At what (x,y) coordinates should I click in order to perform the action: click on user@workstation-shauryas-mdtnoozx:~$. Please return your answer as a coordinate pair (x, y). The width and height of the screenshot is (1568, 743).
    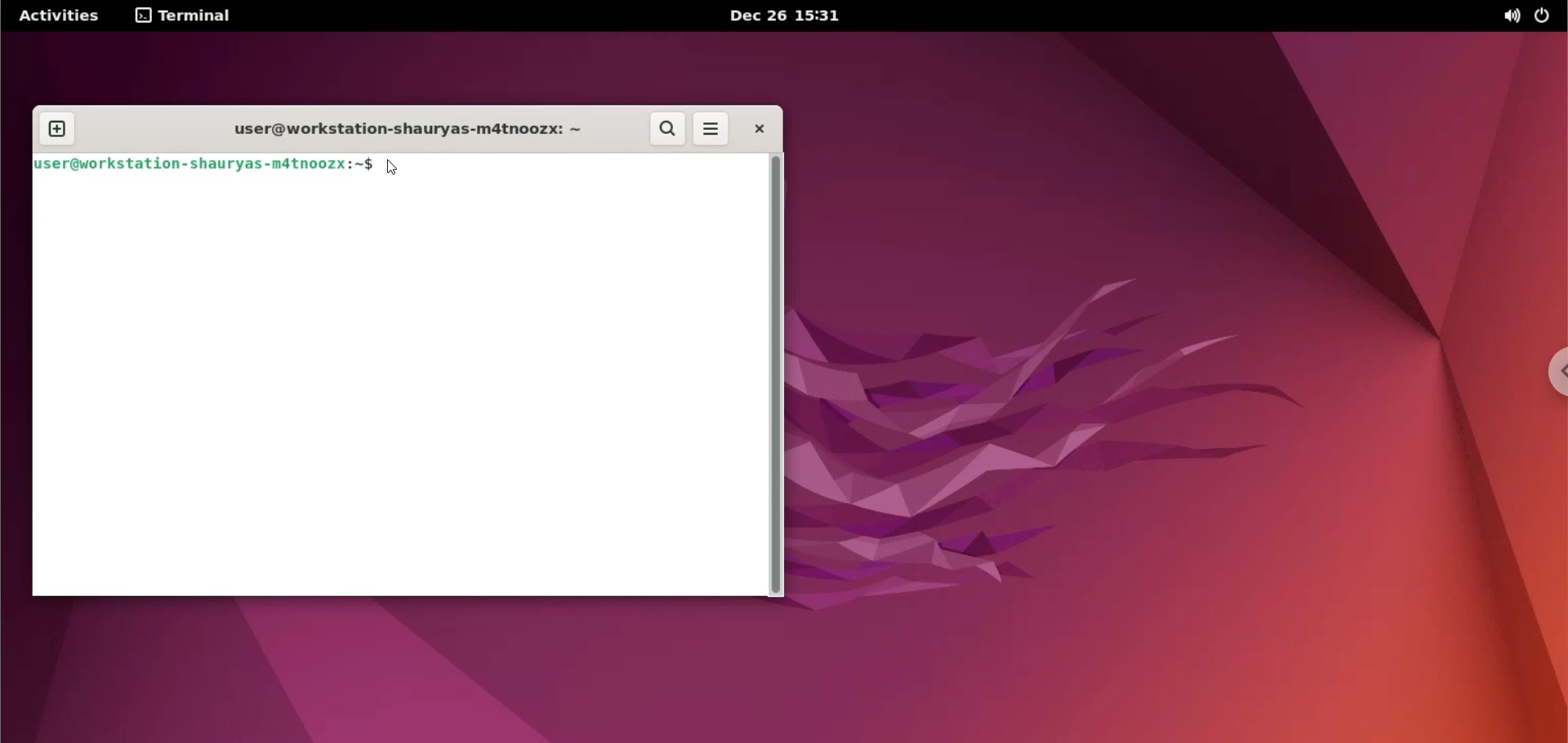
    Looking at the image, I should click on (203, 165).